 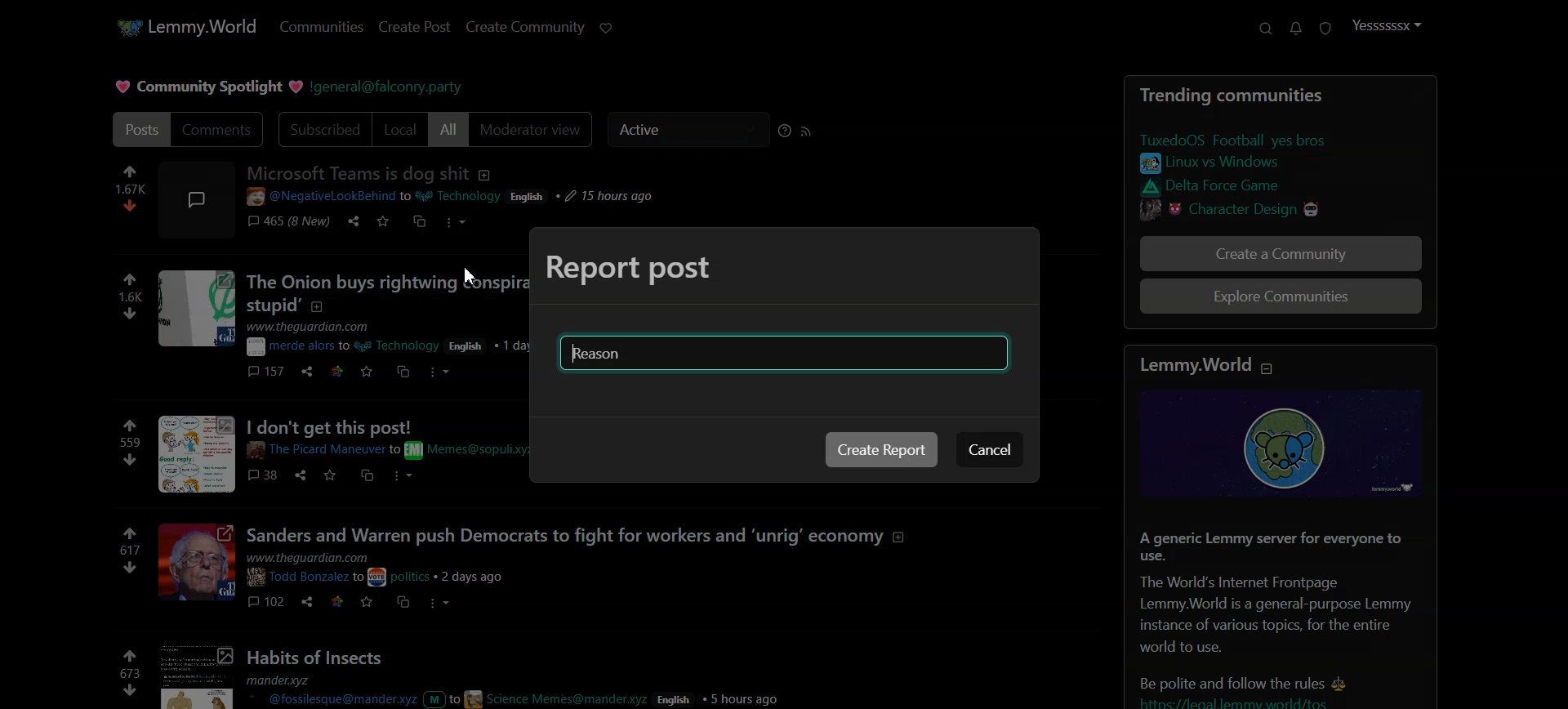 What do you see at coordinates (1249, 209) in the screenshot?
I see `link` at bounding box center [1249, 209].